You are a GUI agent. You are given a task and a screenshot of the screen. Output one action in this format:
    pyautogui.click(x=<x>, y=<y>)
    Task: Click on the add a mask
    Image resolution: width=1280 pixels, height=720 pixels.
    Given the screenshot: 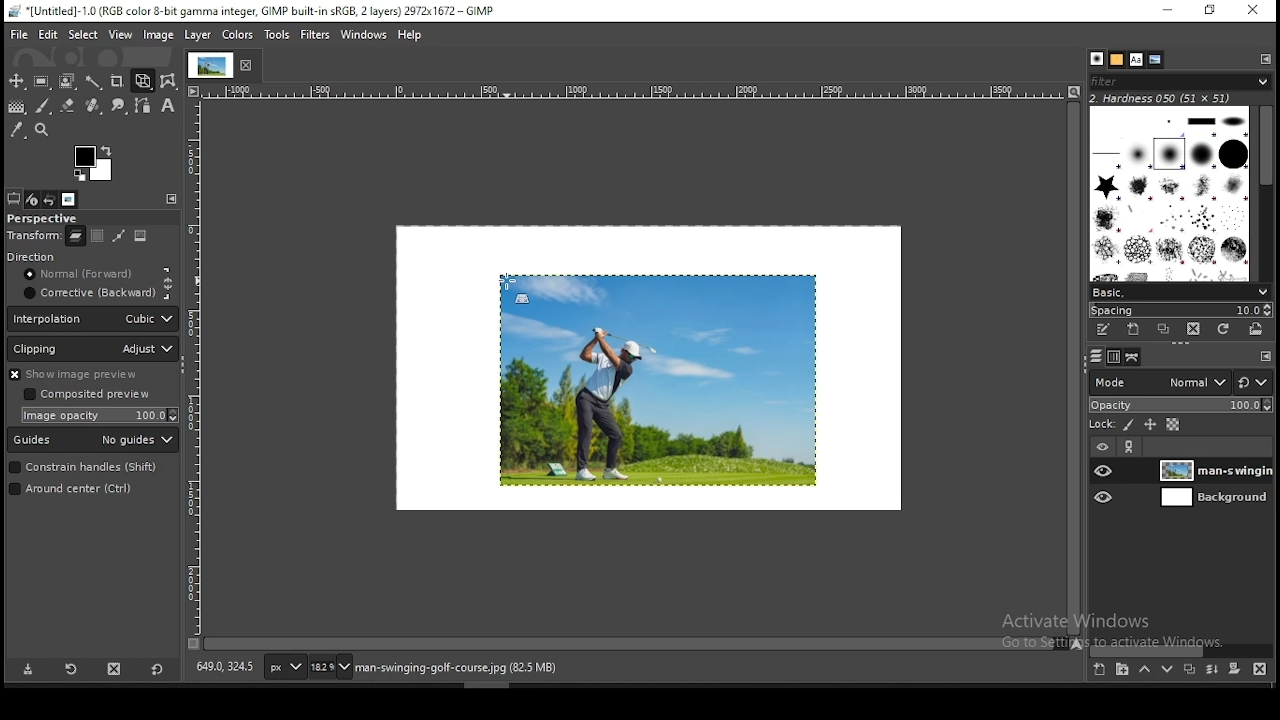 What is the action you would take?
    pyautogui.click(x=1231, y=668)
    